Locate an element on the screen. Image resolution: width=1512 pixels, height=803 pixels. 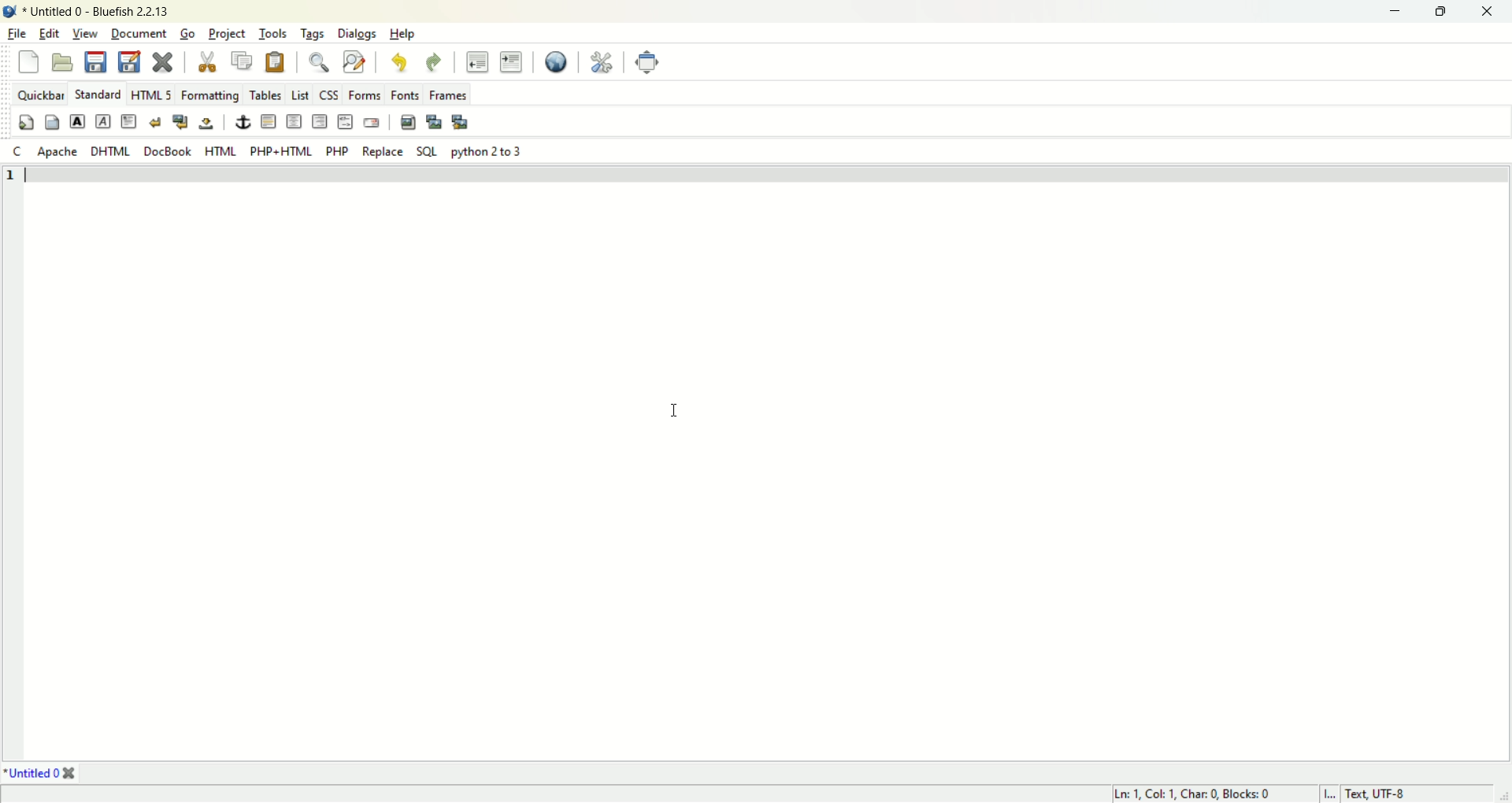
non breaking space is located at coordinates (207, 124).